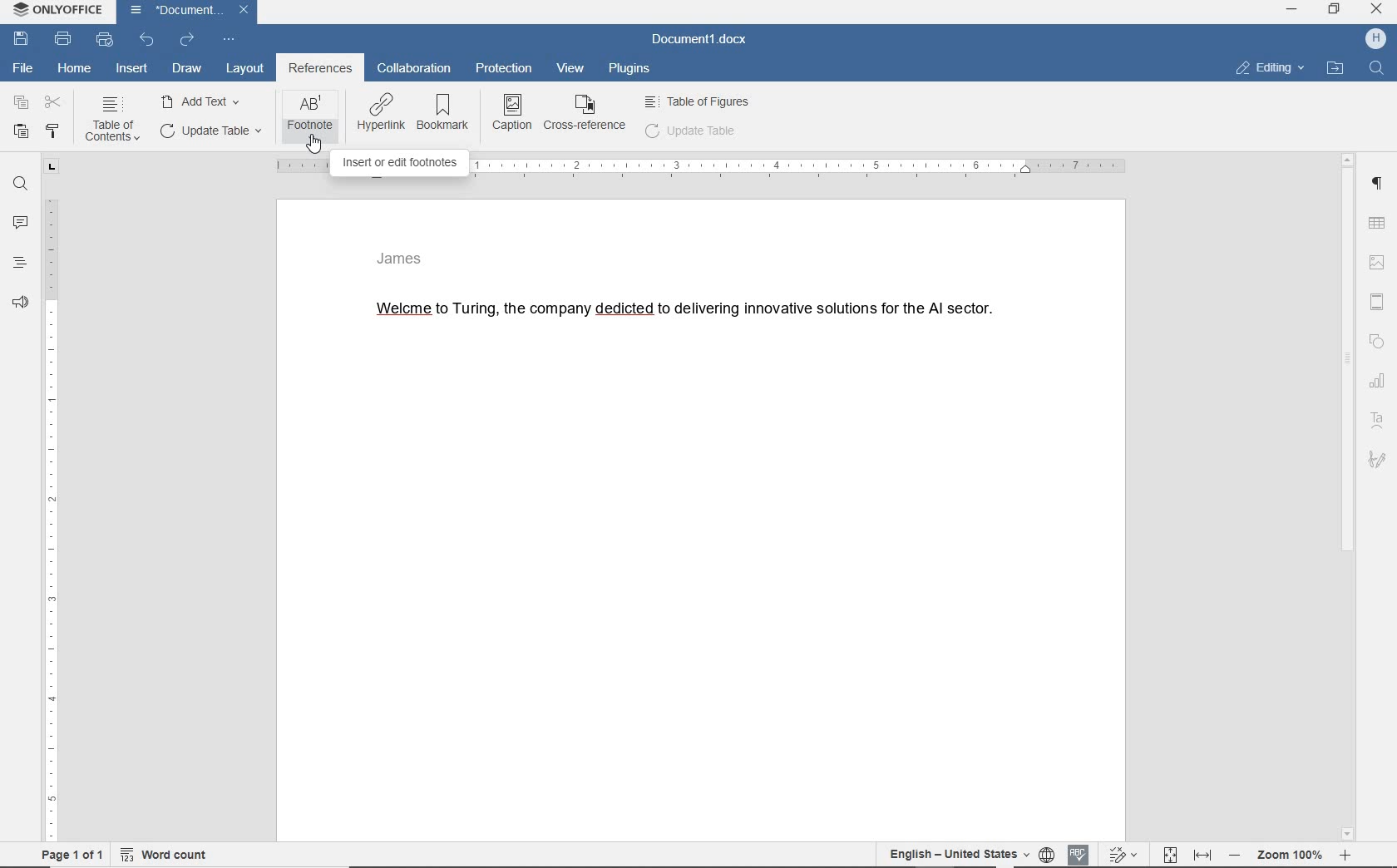 This screenshot has height=868, width=1397. I want to click on word count, so click(166, 857).